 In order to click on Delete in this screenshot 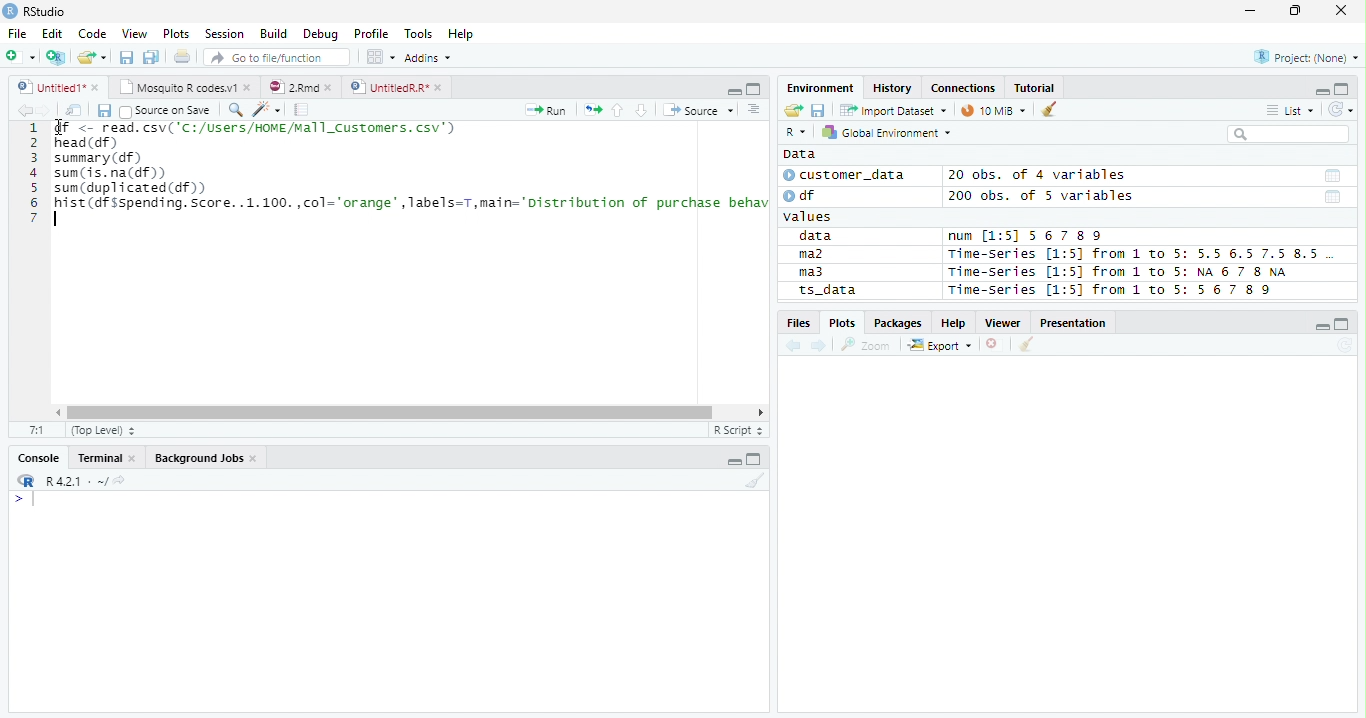, I will do `click(995, 345)`.